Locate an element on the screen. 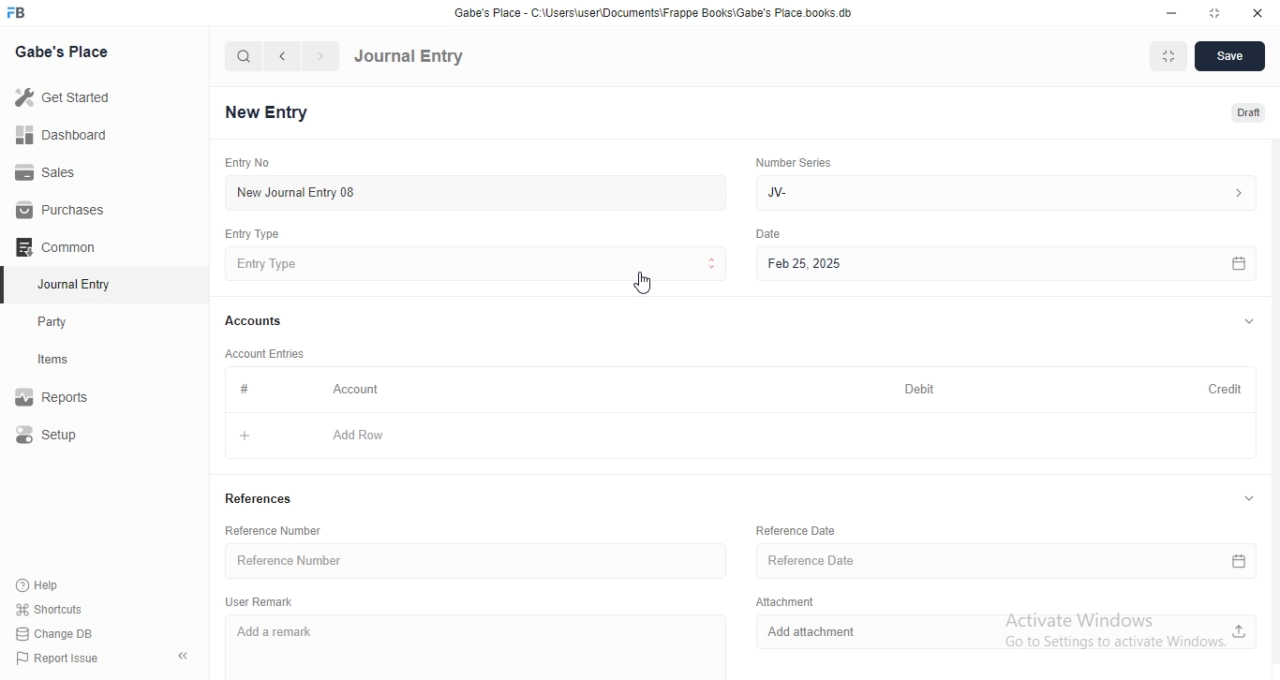  navigate backward is located at coordinates (285, 56).